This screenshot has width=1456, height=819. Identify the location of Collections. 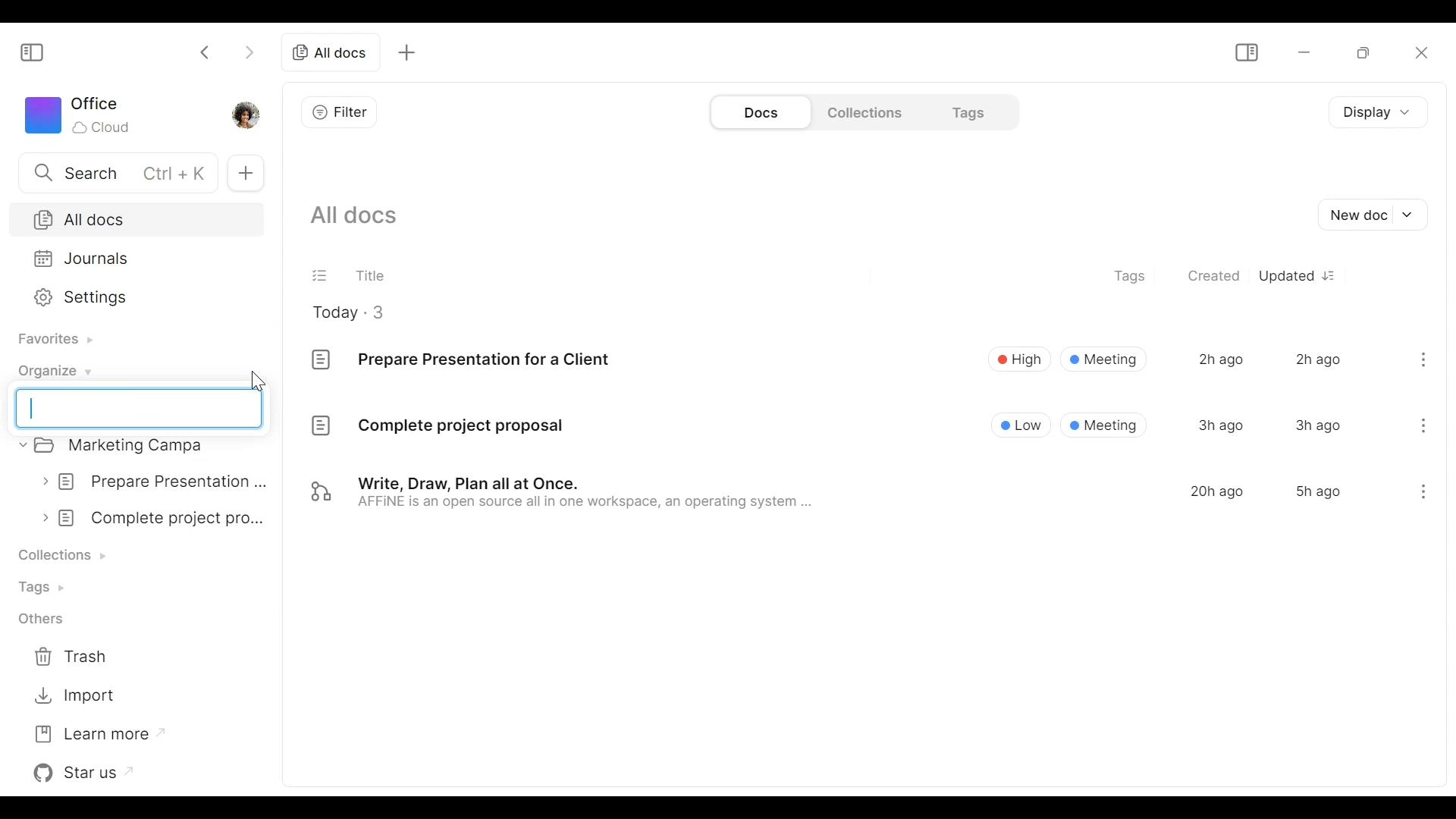
(863, 111).